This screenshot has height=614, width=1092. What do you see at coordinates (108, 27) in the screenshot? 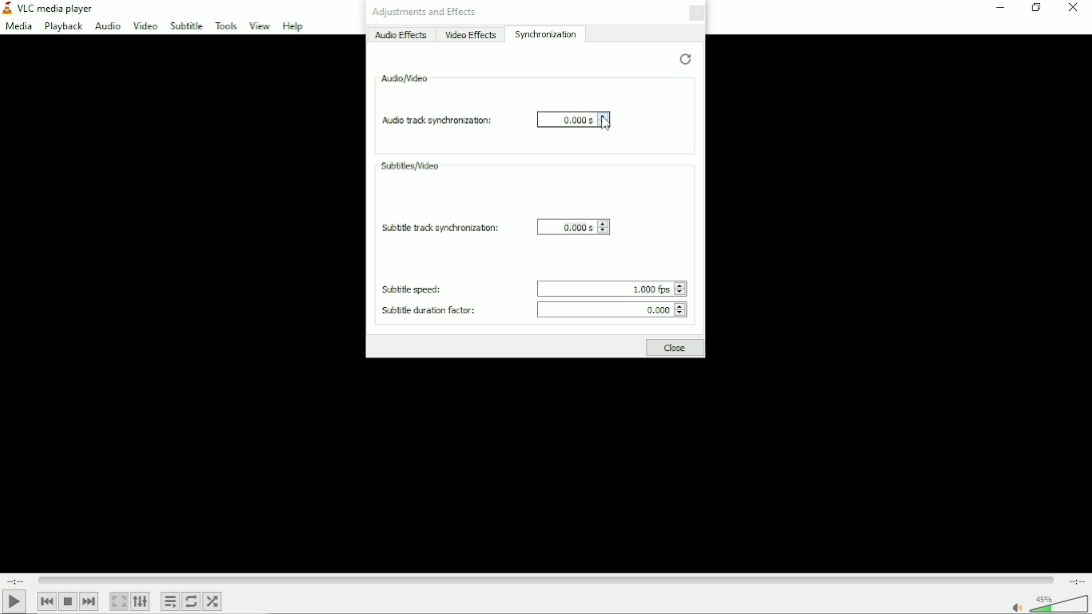
I see `Audio` at bounding box center [108, 27].